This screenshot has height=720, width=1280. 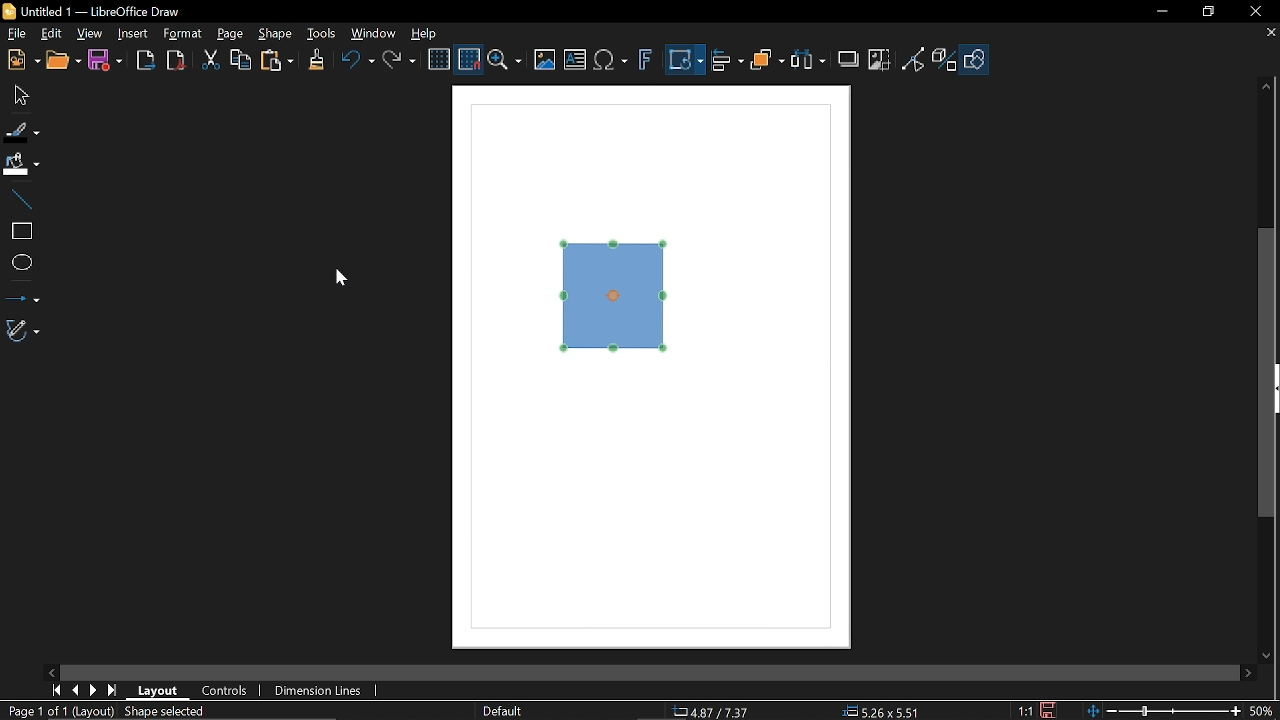 What do you see at coordinates (914, 59) in the screenshot?
I see `Toggle ` at bounding box center [914, 59].